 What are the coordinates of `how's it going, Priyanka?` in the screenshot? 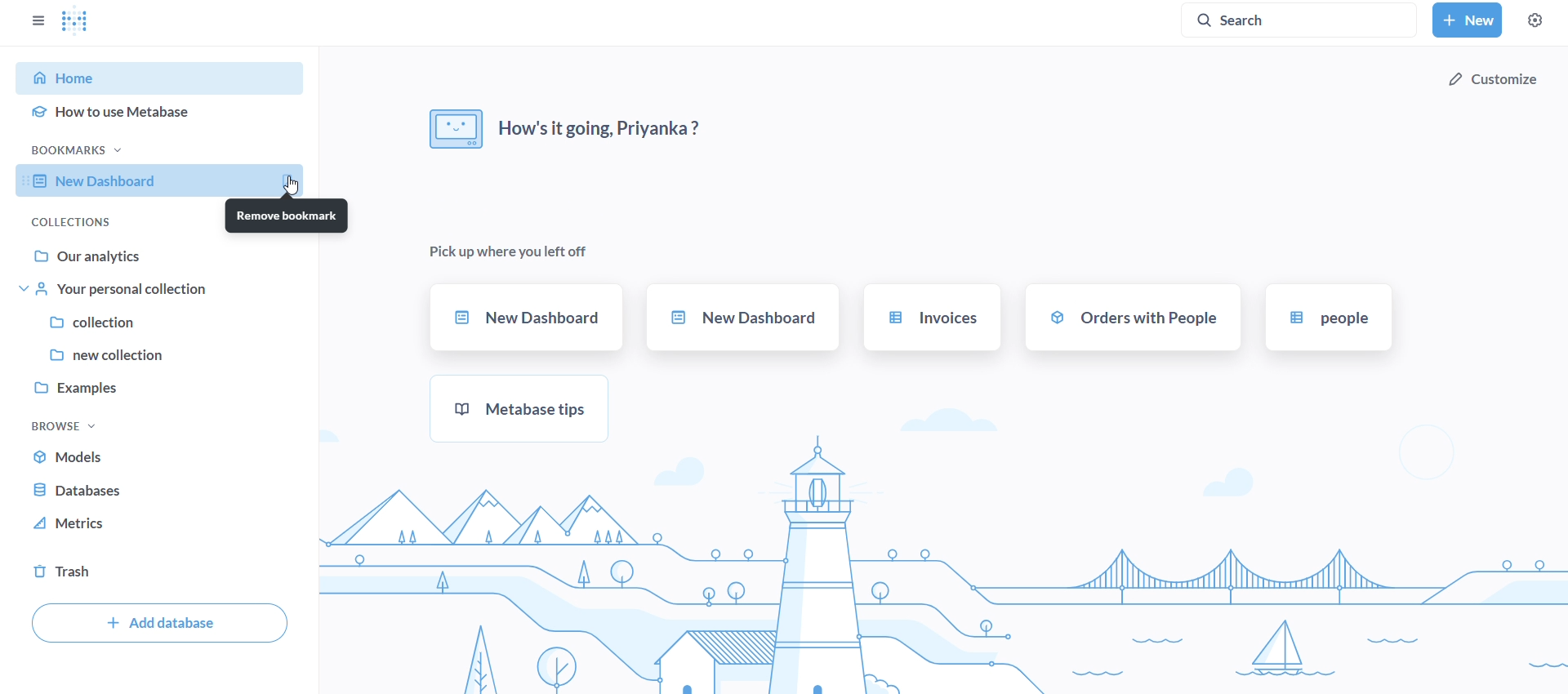 It's located at (567, 126).